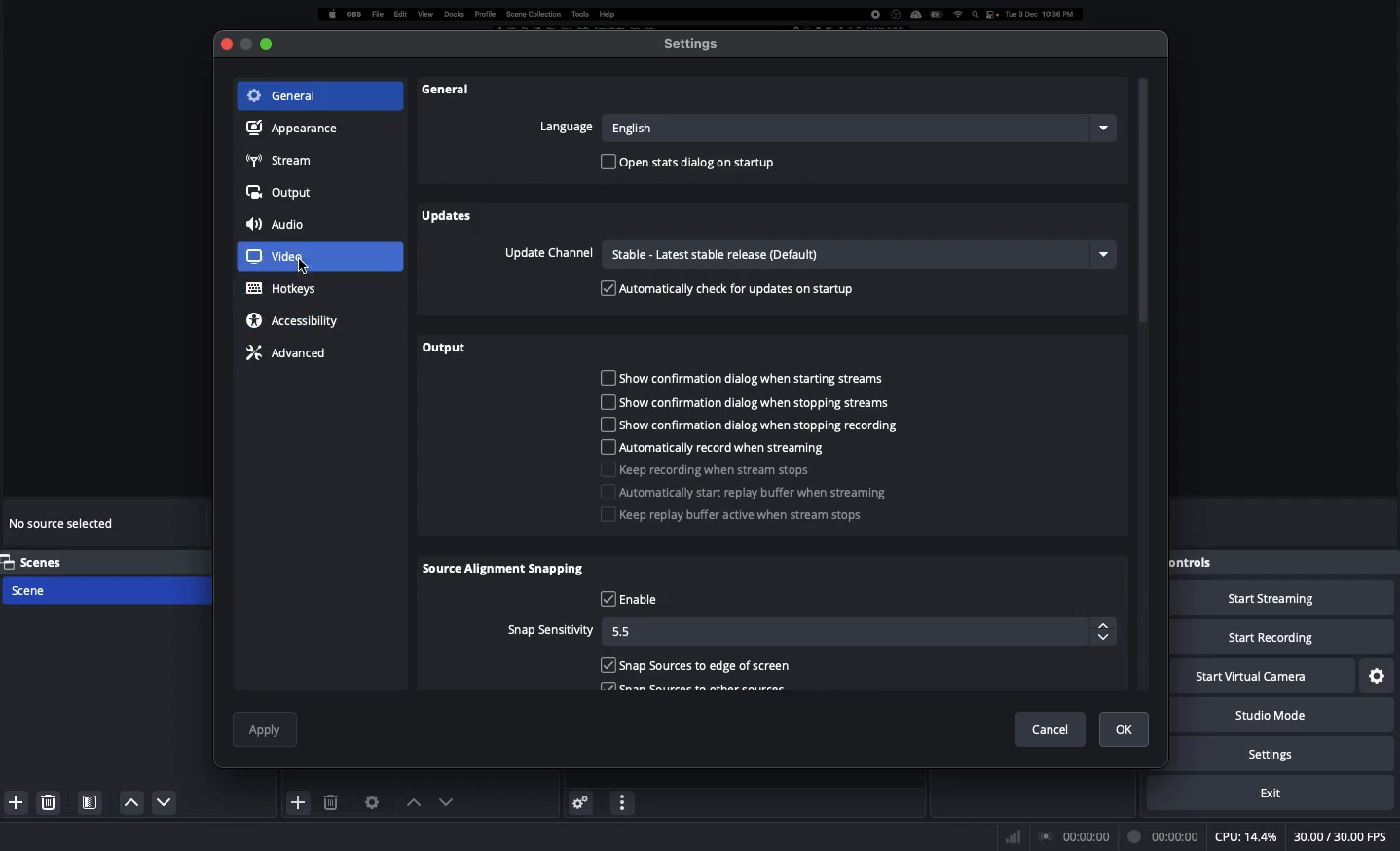  Describe the element at coordinates (127, 802) in the screenshot. I see `Down` at that location.